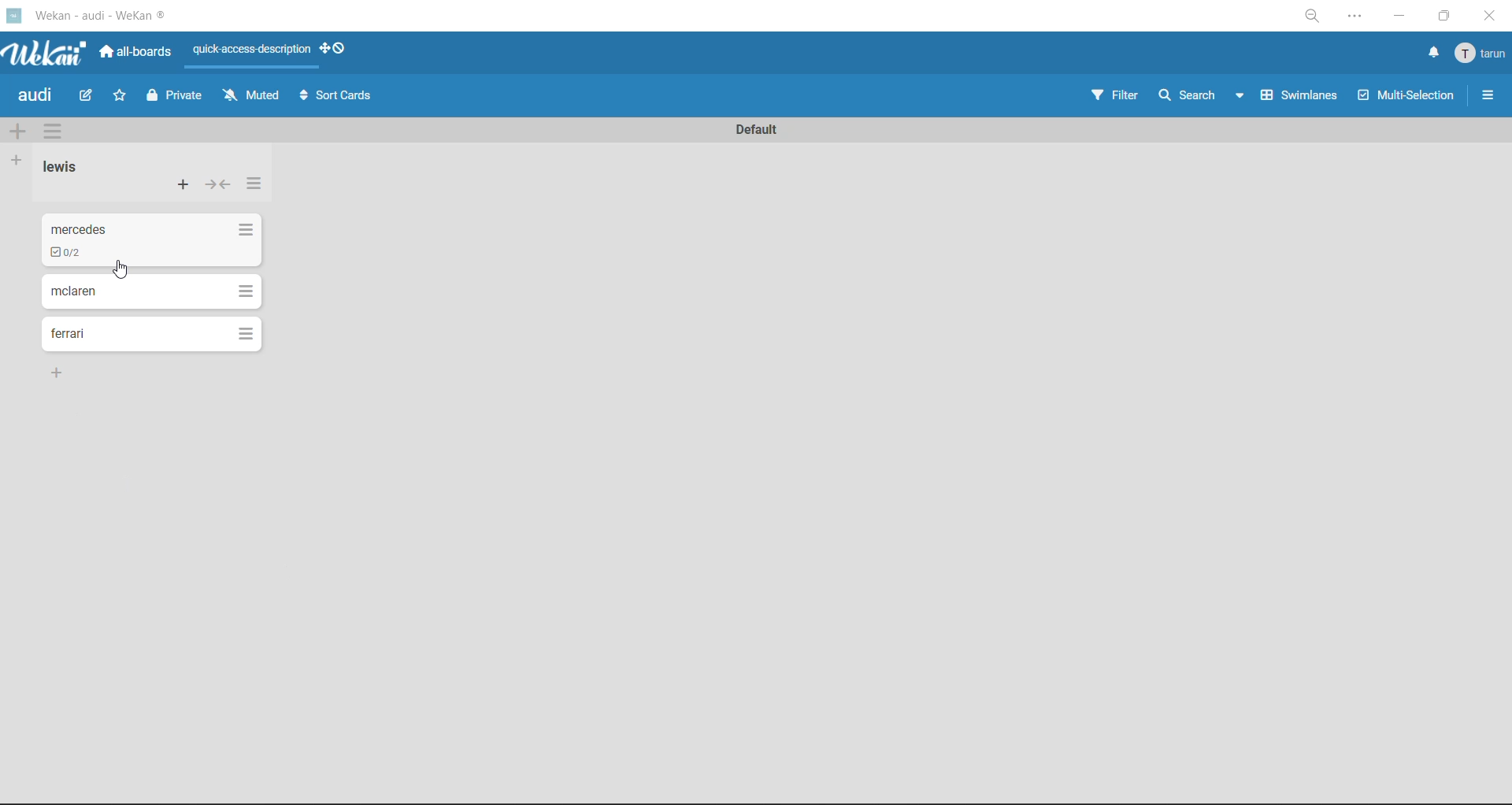 Image resolution: width=1512 pixels, height=805 pixels. What do you see at coordinates (338, 96) in the screenshot?
I see `sort cards` at bounding box center [338, 96].